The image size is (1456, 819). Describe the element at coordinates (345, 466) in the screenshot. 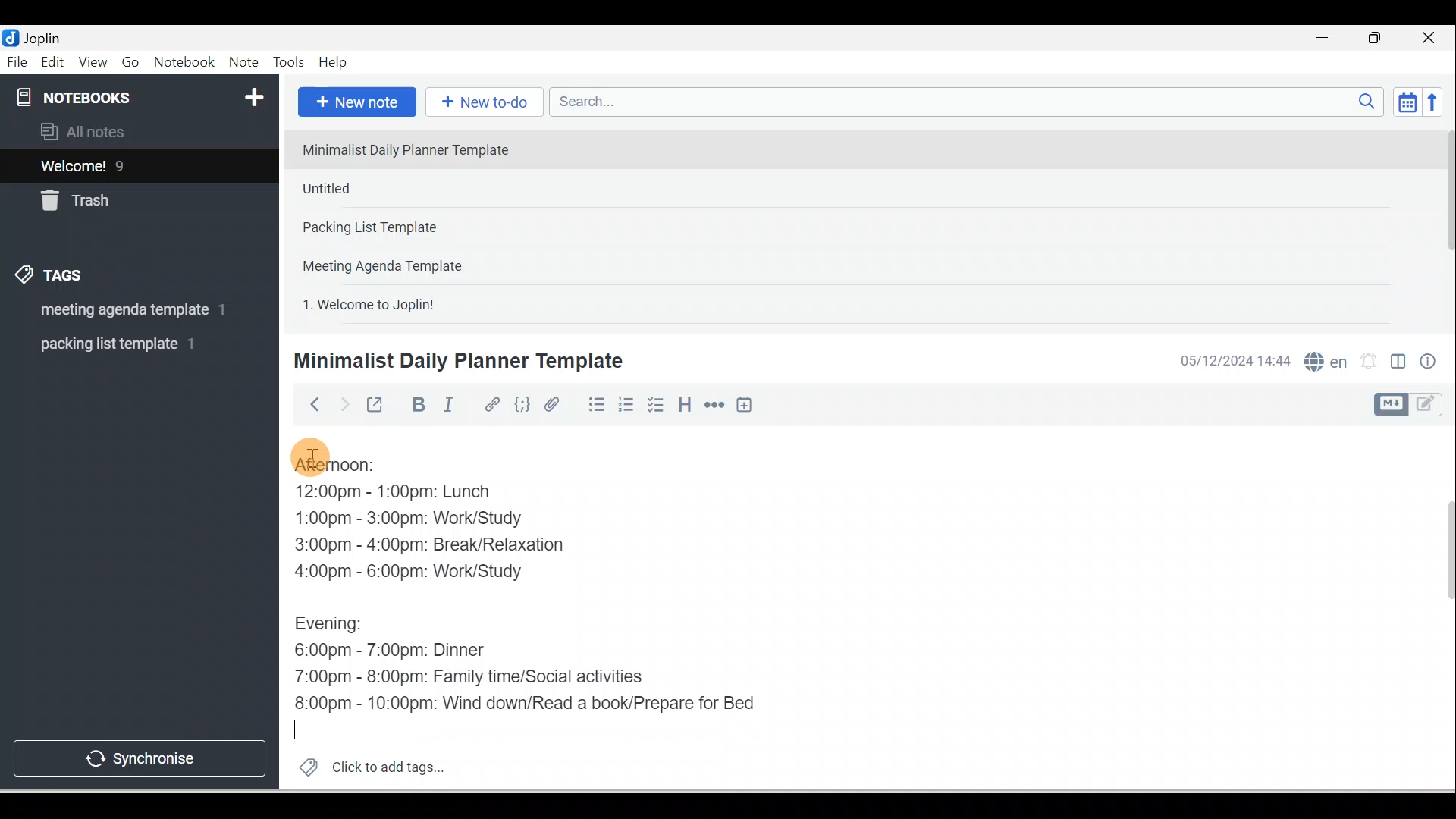

I see `Afternoon:` at that location.